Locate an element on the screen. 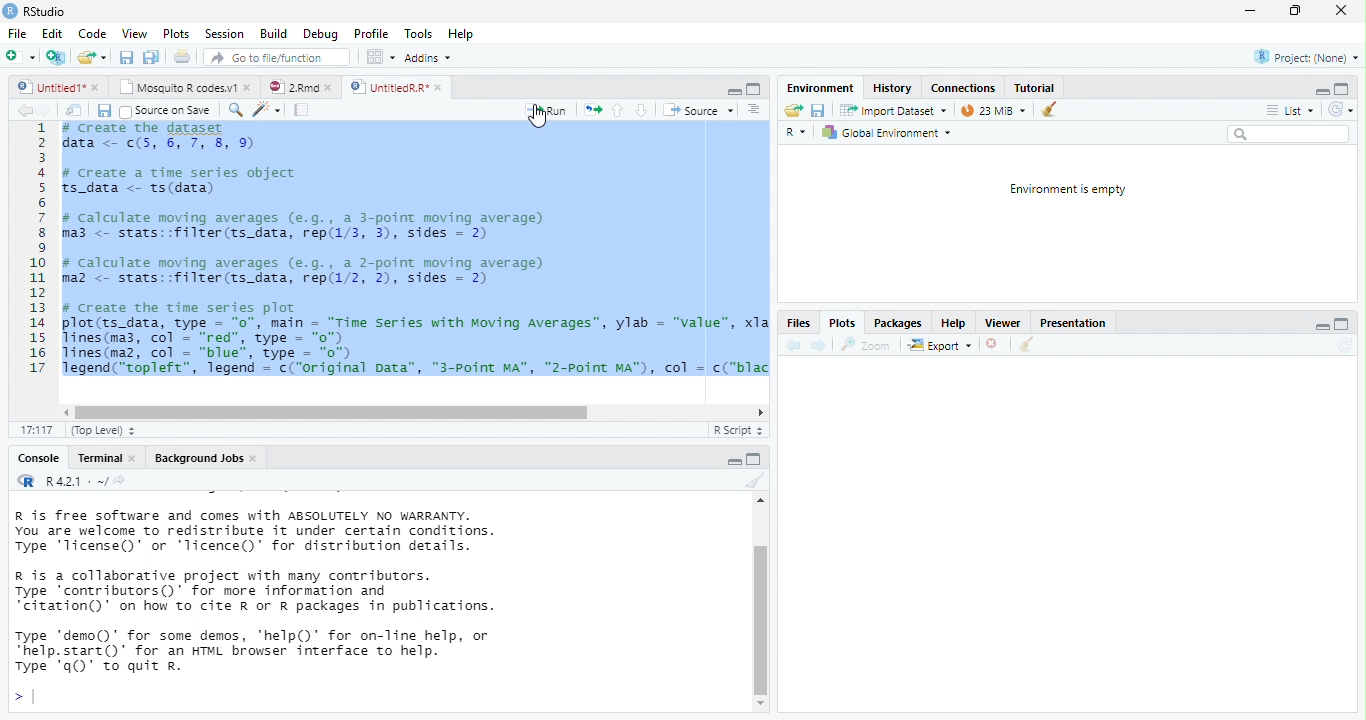 This screenshot has width=1366, height=720. print current file is located at coordinates (151, 57).